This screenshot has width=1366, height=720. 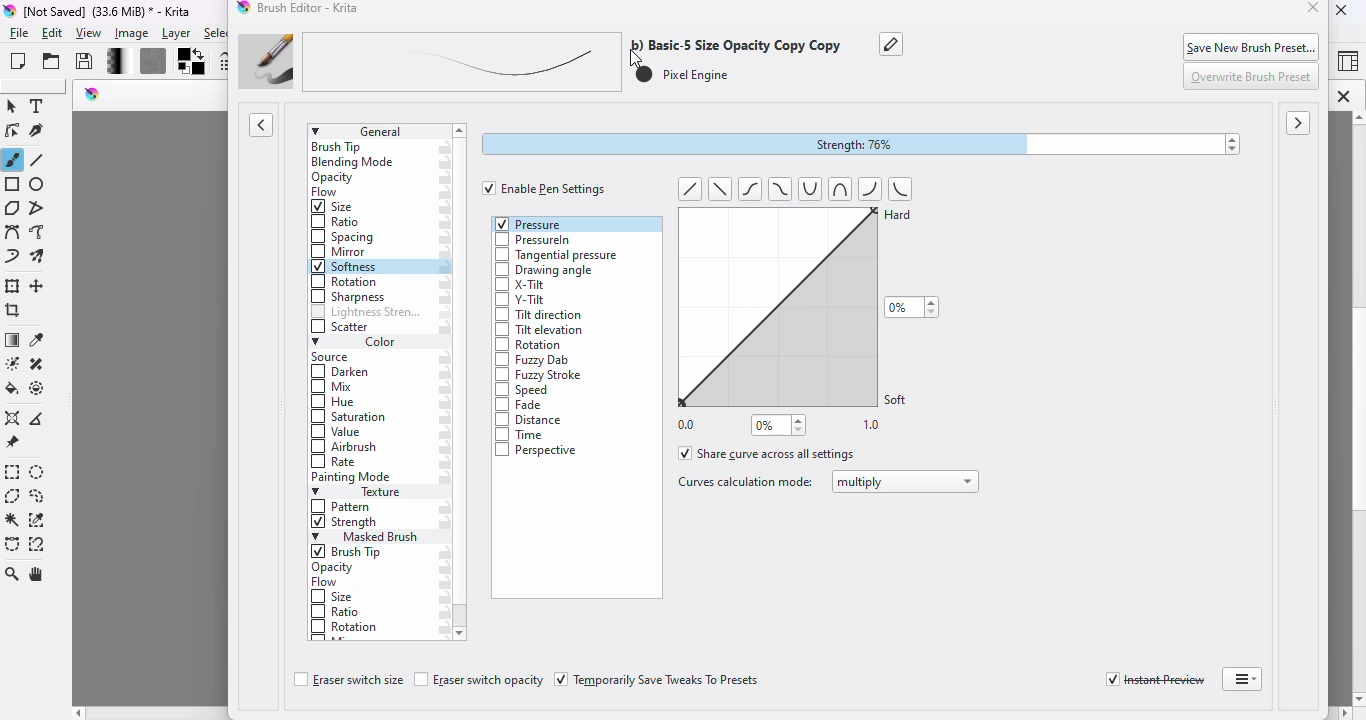 What do you see at coordinates (350, 552) in the screenshot?
I see `brush tip` at bounding box center [350, 552].